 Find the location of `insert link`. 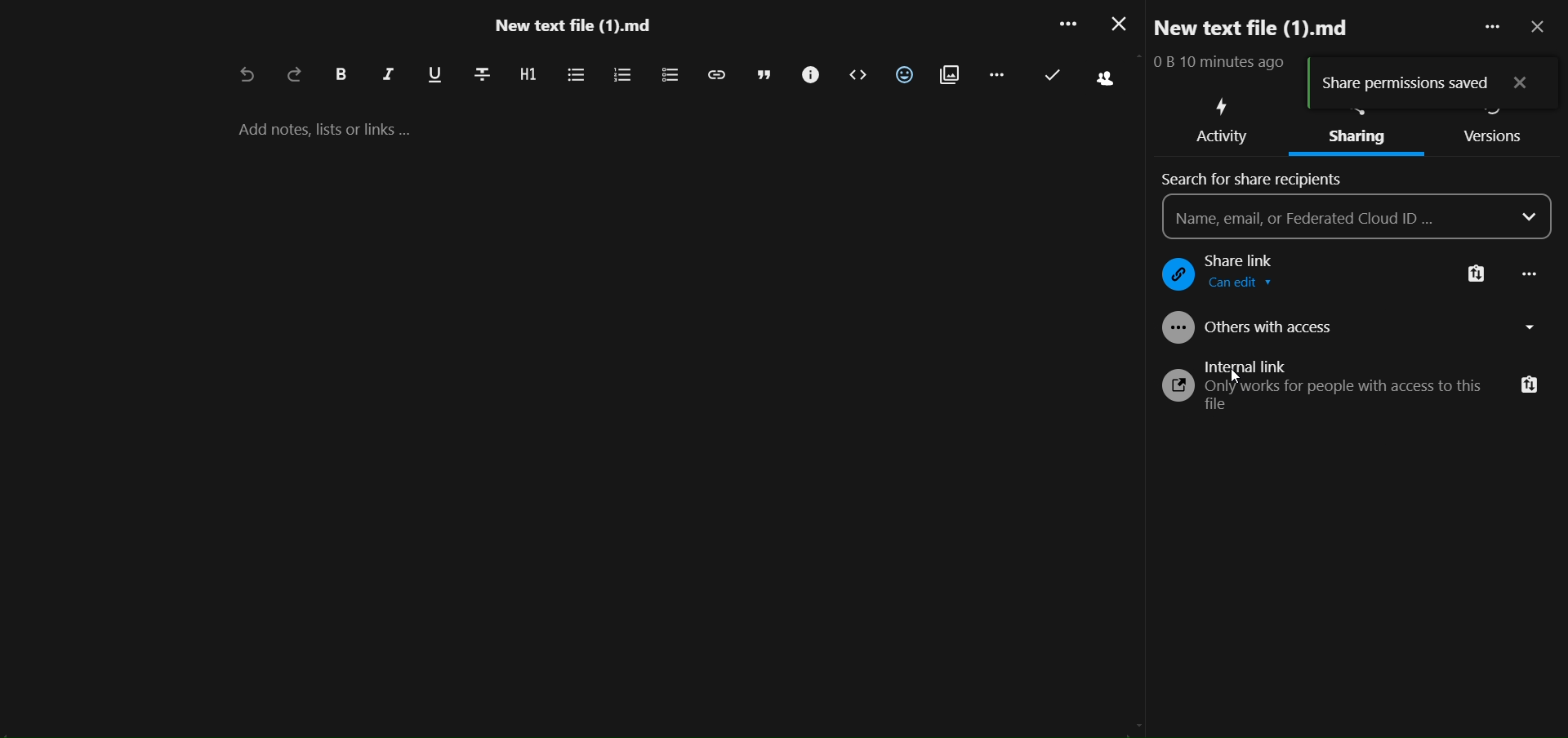

insert link is located at coordinates (715, 74).